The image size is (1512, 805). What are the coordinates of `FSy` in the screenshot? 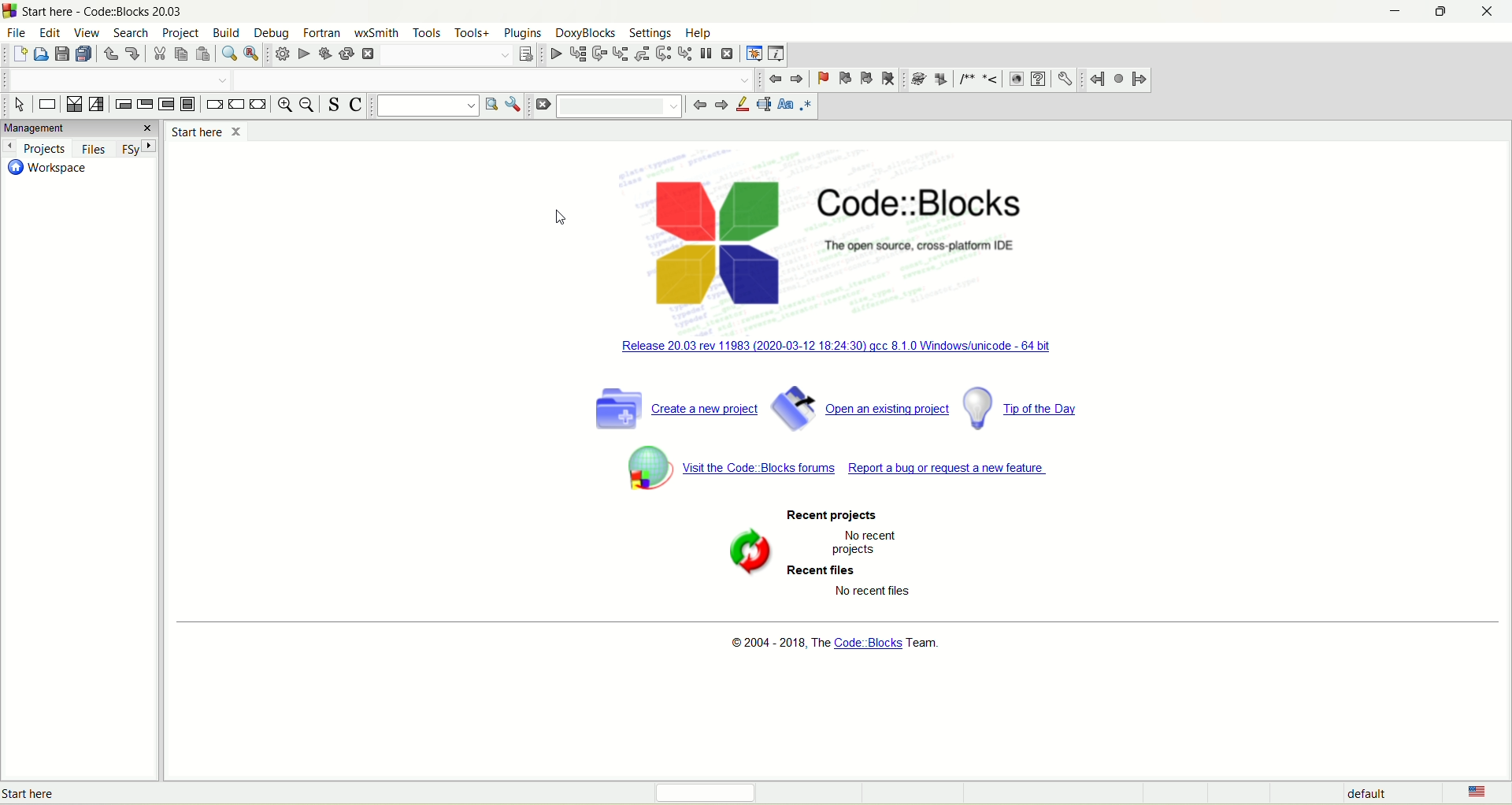 It's located at (138, 149).